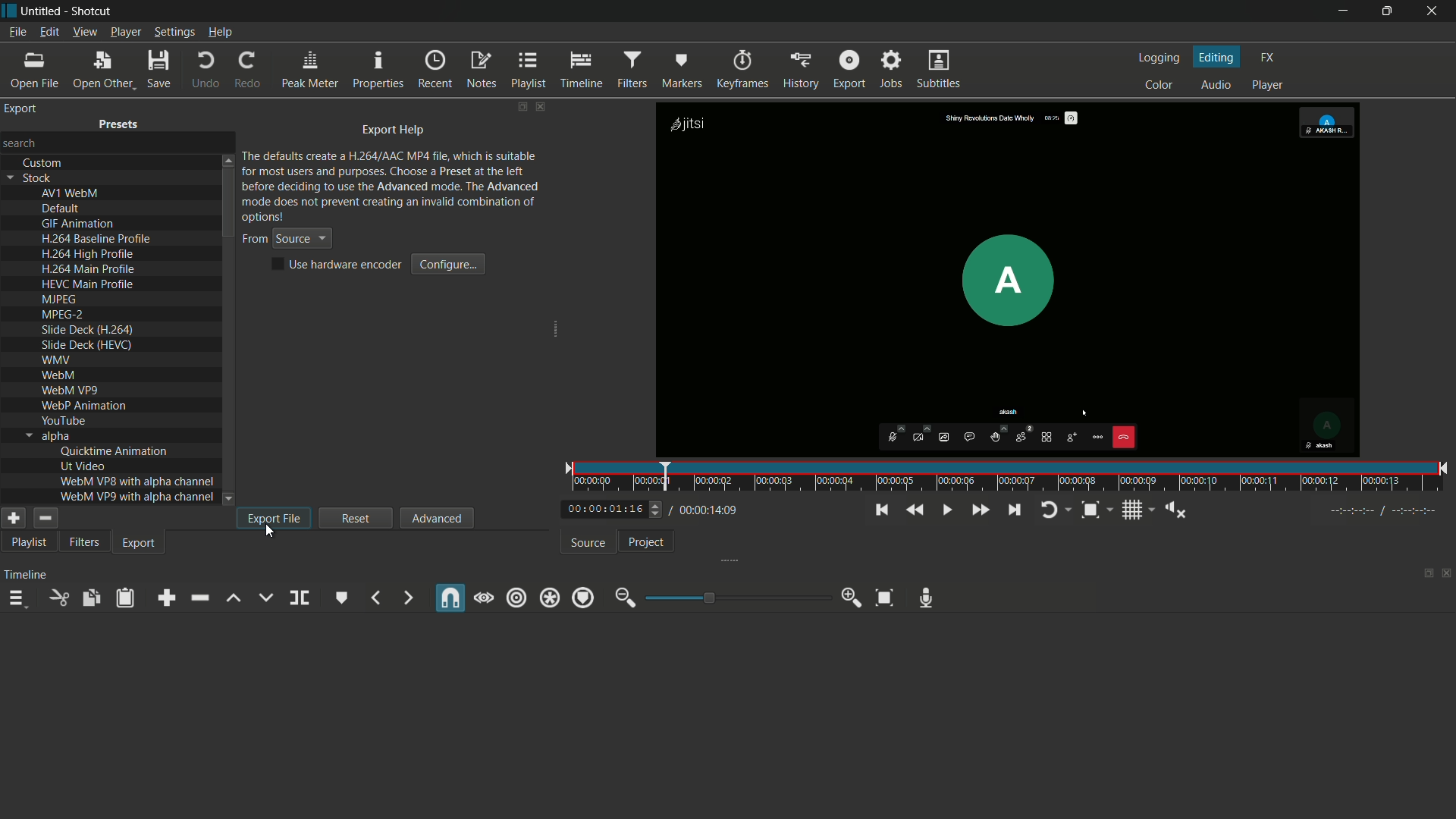 The image size is (1456, 819). I want to click on change layout, so click(1423, 577).